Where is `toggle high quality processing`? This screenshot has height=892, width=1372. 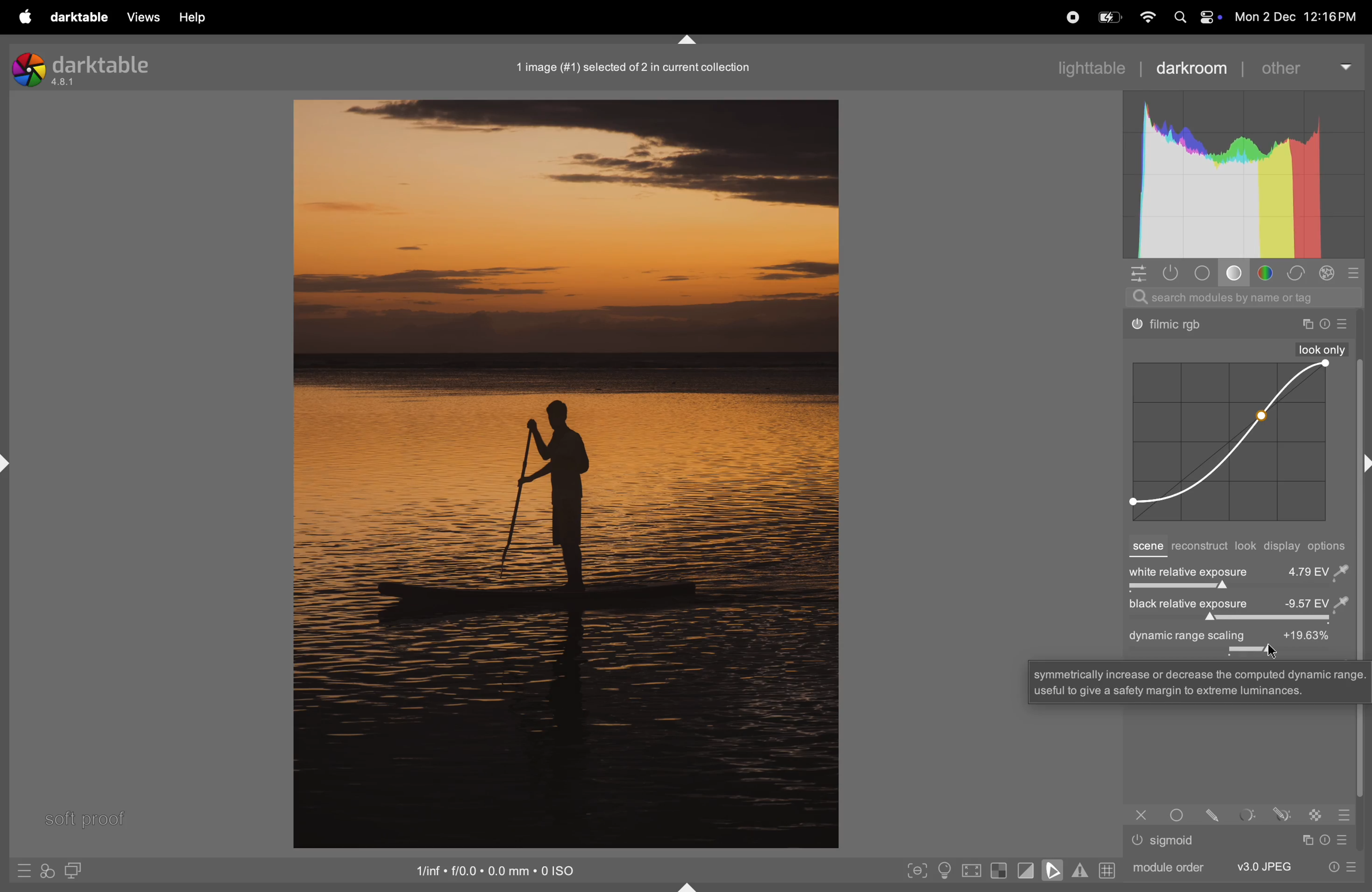
toggle high quality processing is located at coordinates (973, 872).